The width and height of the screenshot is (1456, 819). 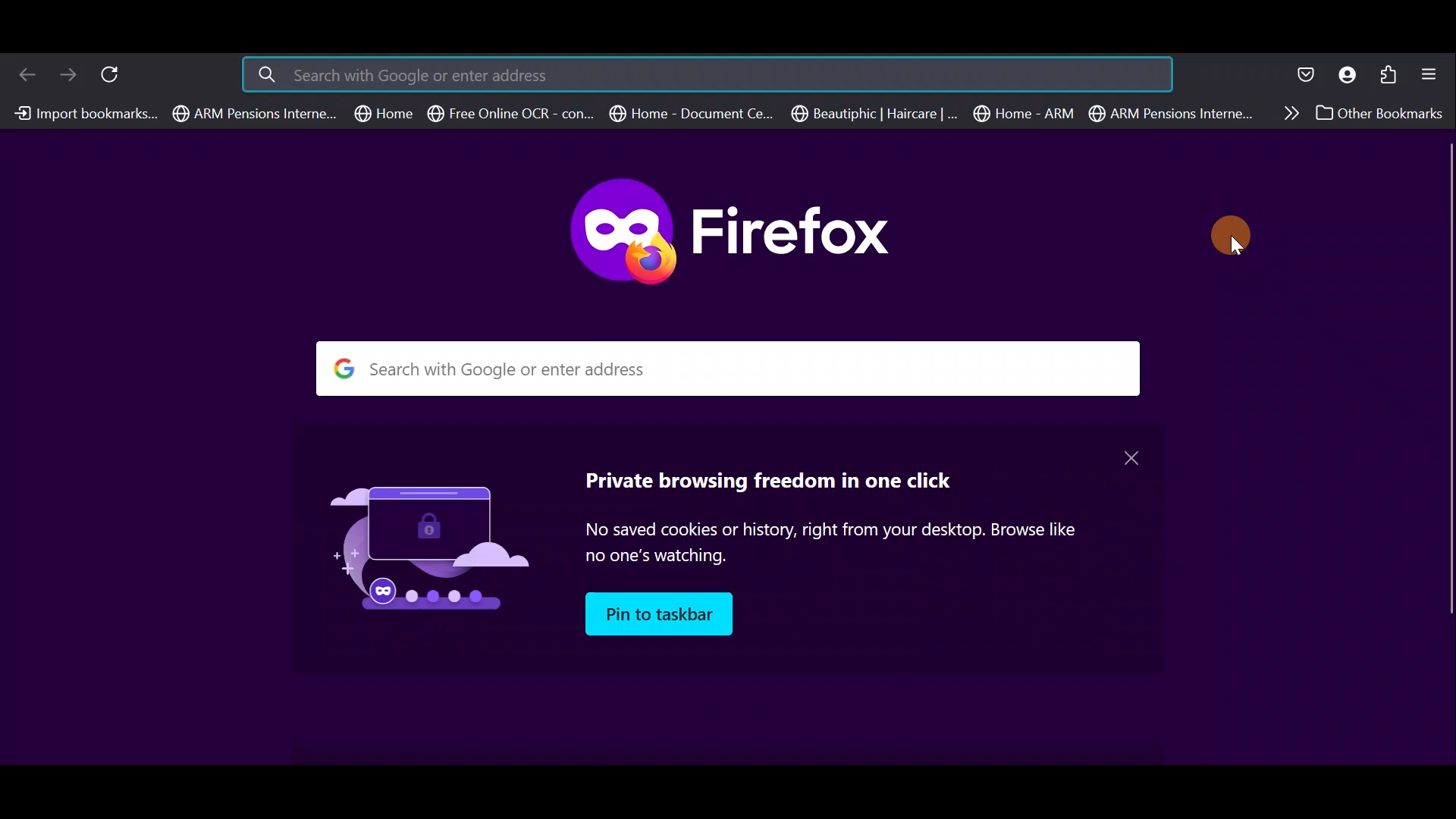 I want to click on scroll bar, so click(x=1447, y=381).